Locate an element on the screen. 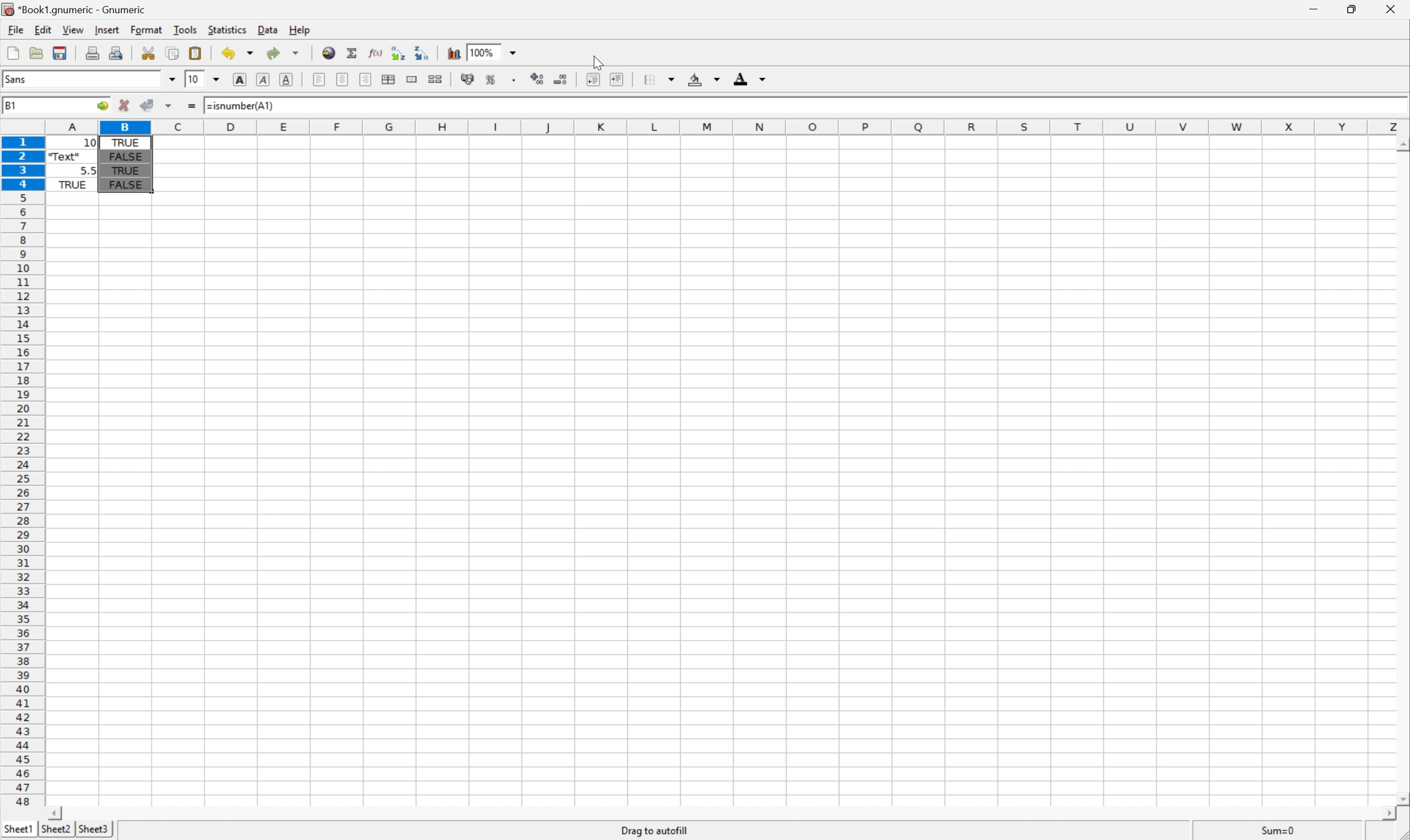 The image size is (1410, 840). Sheet2 is located at coordinates (55, 830).